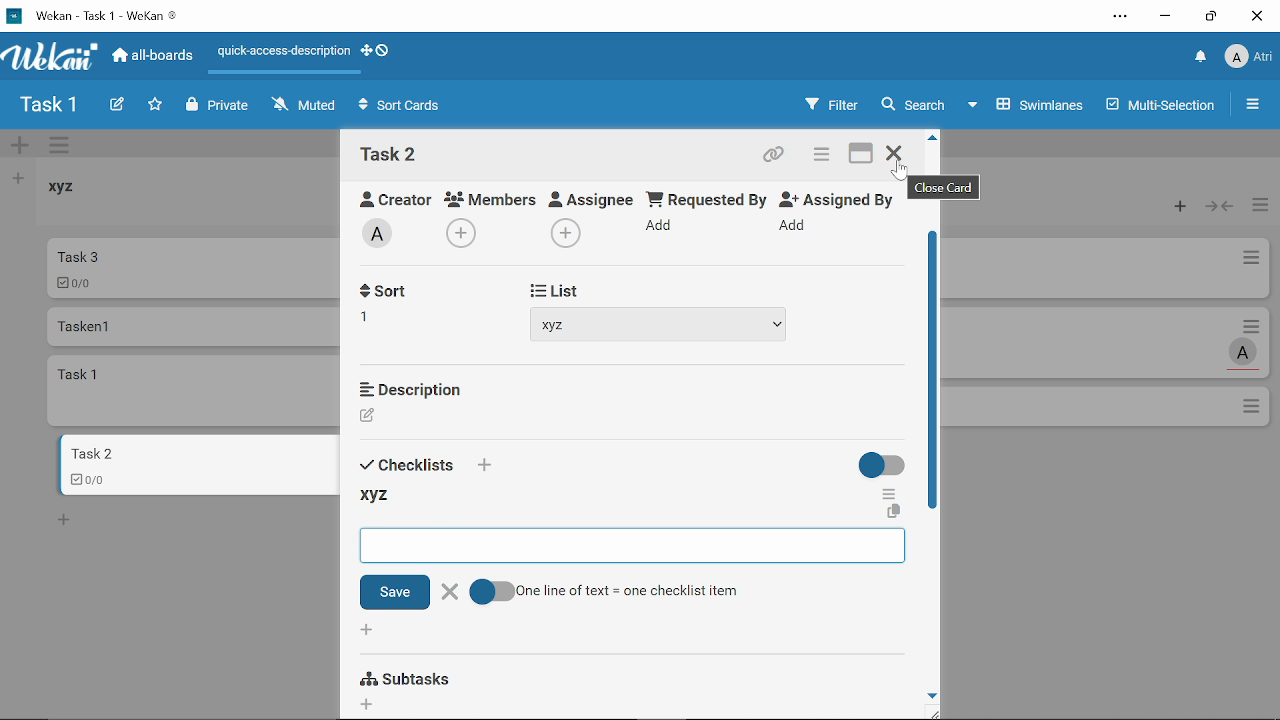 This screenshot has height=720, width=1280. I want to click on Quick access description, so click(280, 55).